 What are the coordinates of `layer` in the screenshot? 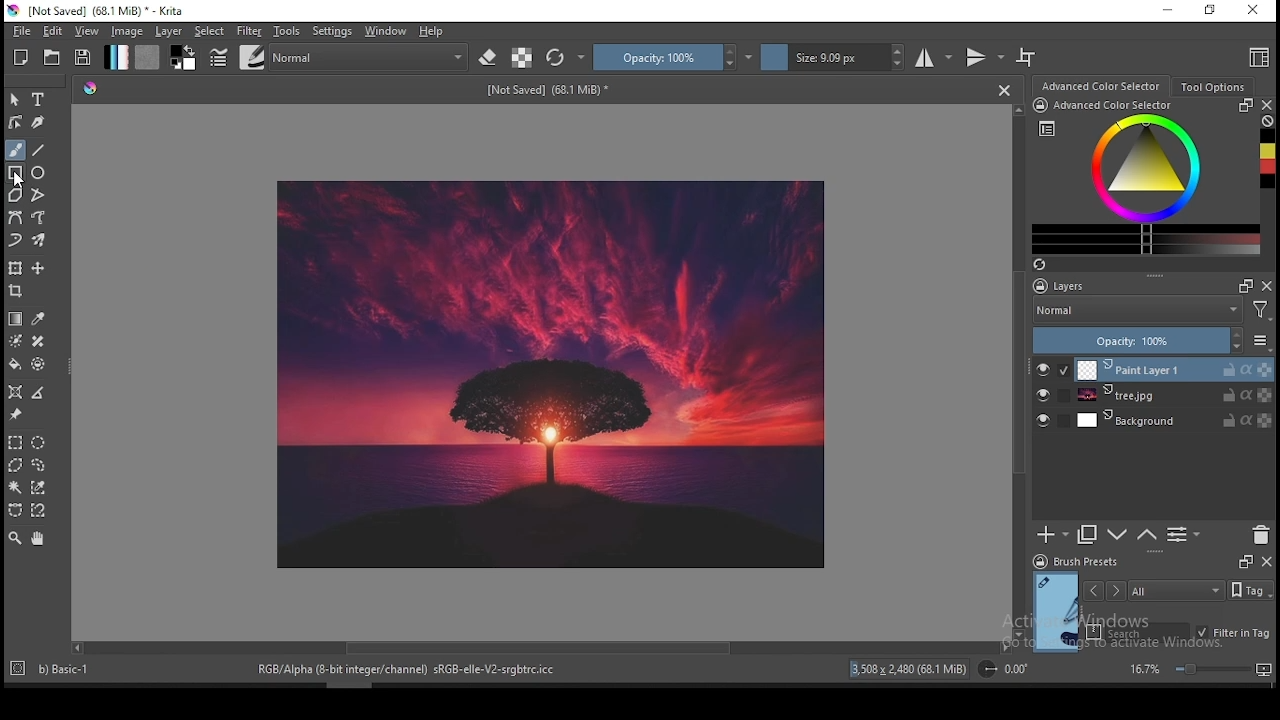 It's located at (169, 32).